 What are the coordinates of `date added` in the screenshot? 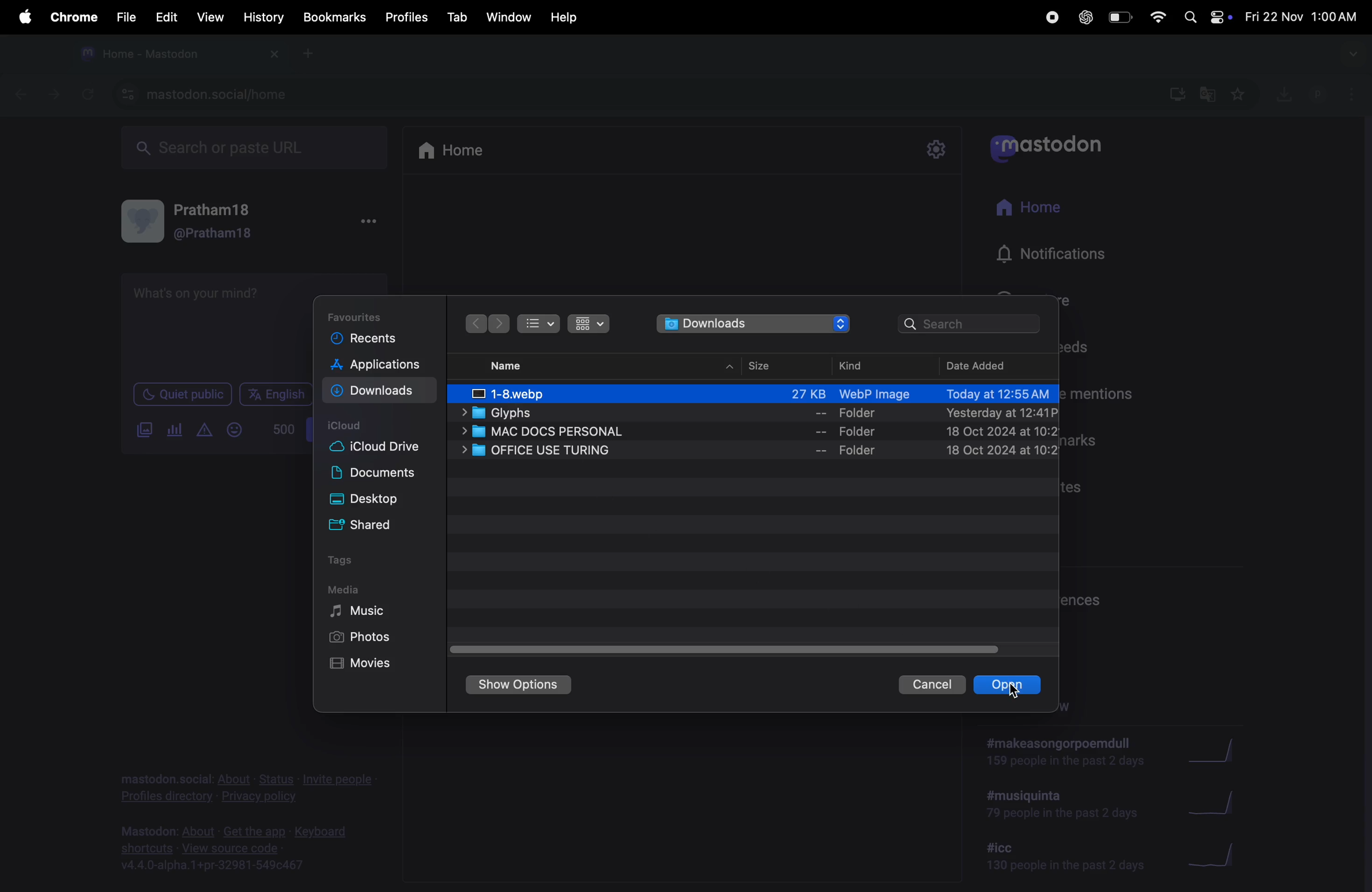 It's located at (982, 365).